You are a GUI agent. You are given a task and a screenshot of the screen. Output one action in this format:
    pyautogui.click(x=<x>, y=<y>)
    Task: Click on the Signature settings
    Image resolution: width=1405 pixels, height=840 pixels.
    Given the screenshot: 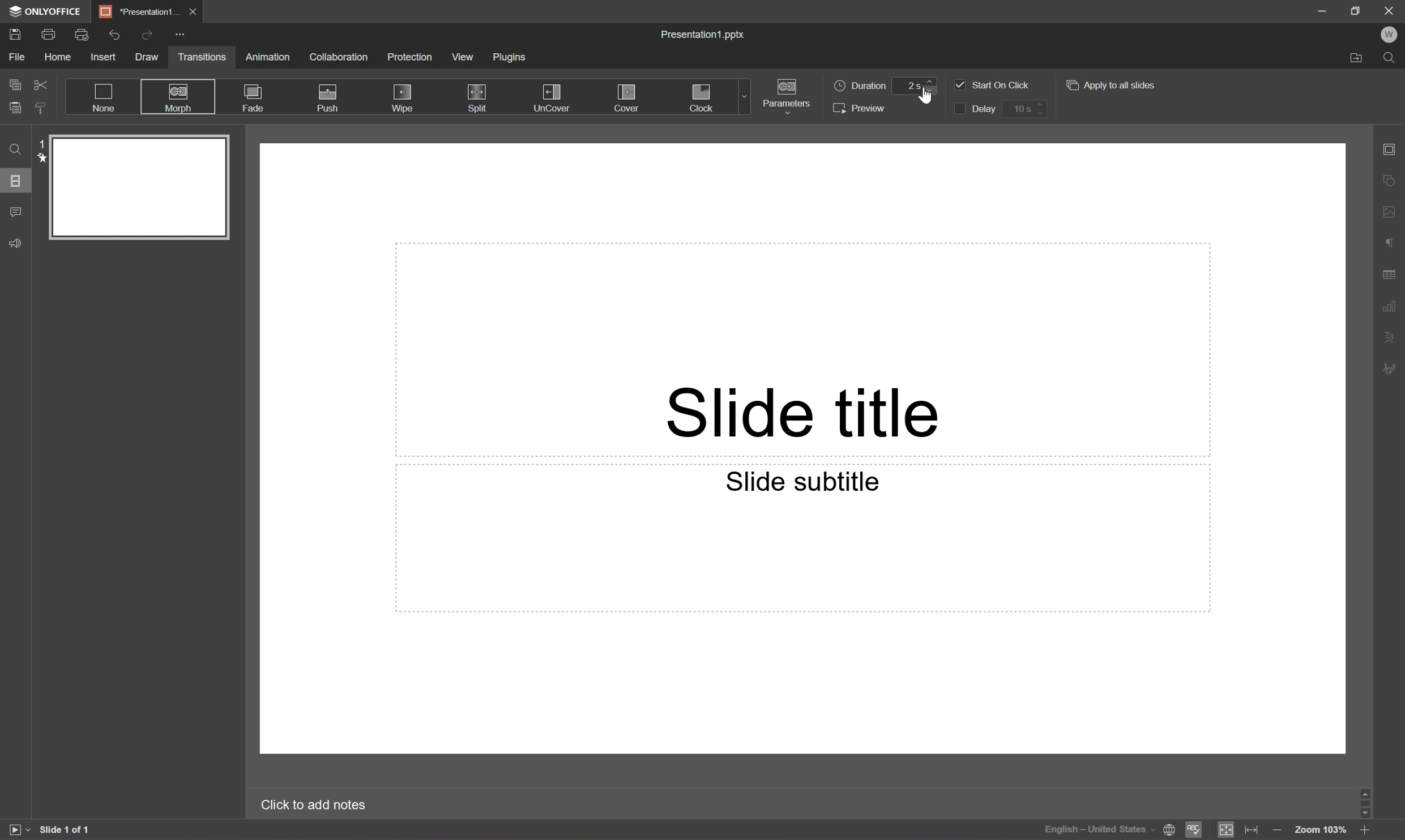 What is the action you would take?
    pyautogui.click(x=1393, y=368)
    